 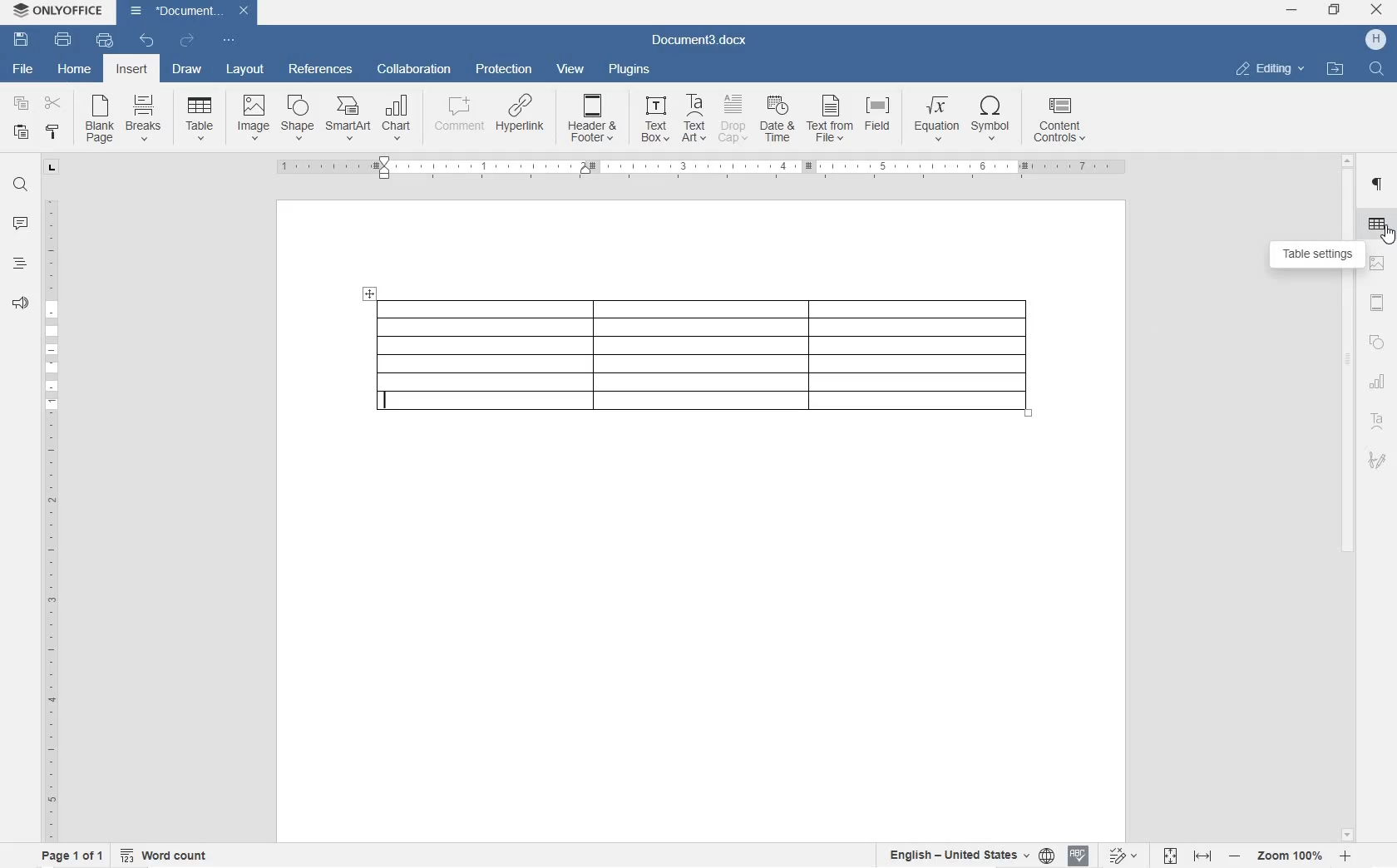 I want to click on HEADINGS, so click(x=17, y=264).